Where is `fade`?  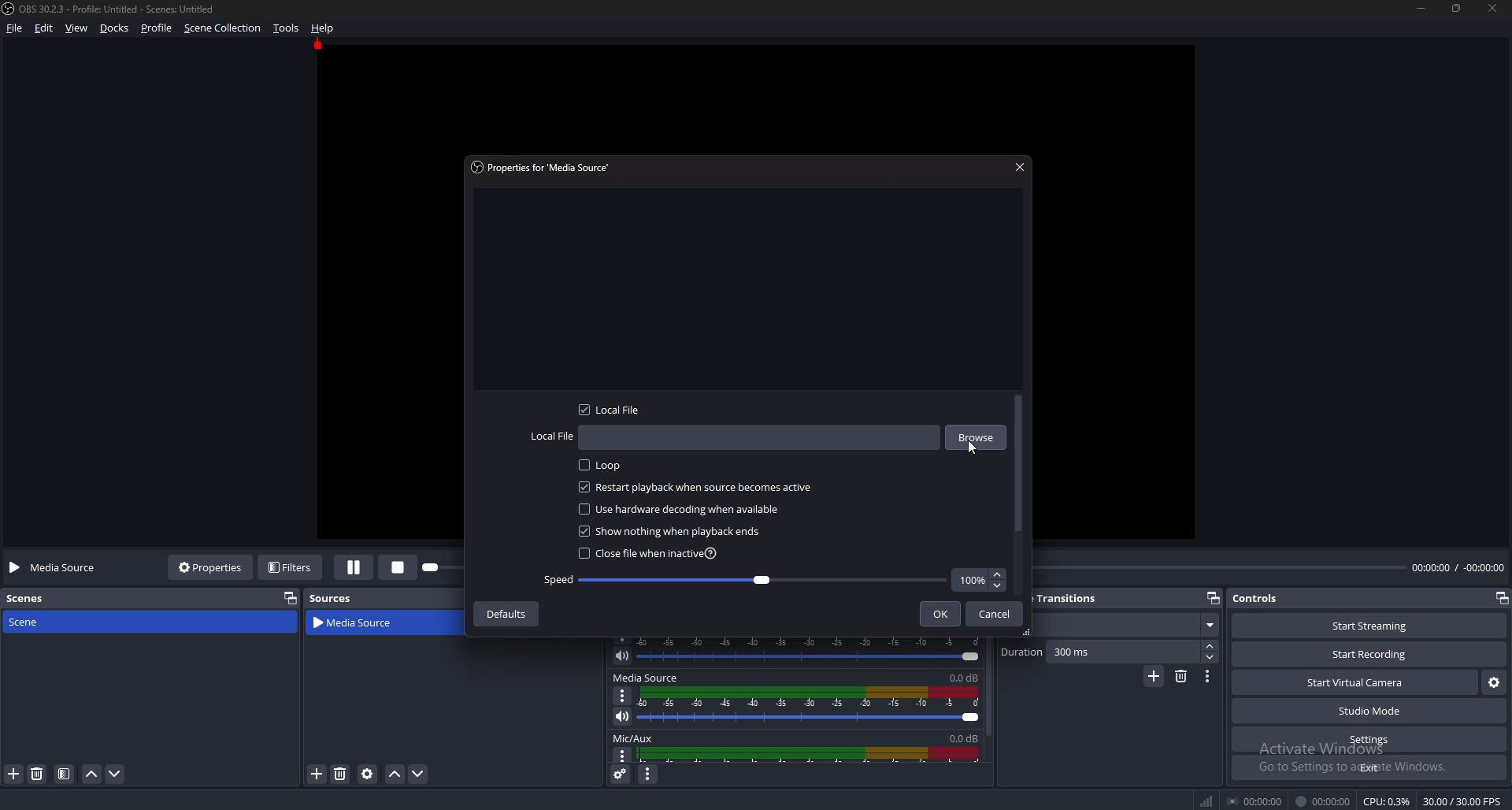 fade is located at coordinates (1125, 626).